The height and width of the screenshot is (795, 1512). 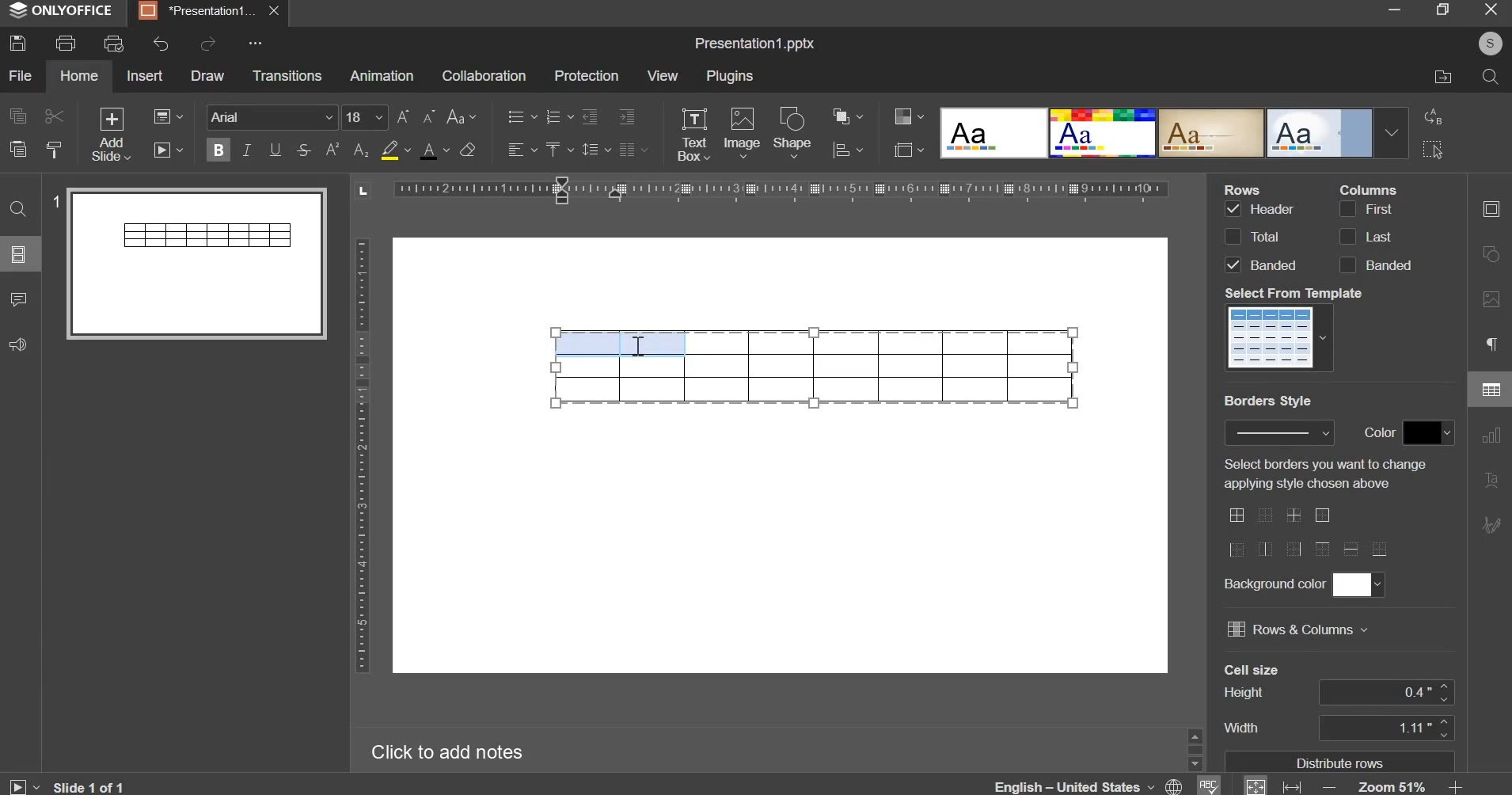 I want to click on font size, so click(x=389, y=117).